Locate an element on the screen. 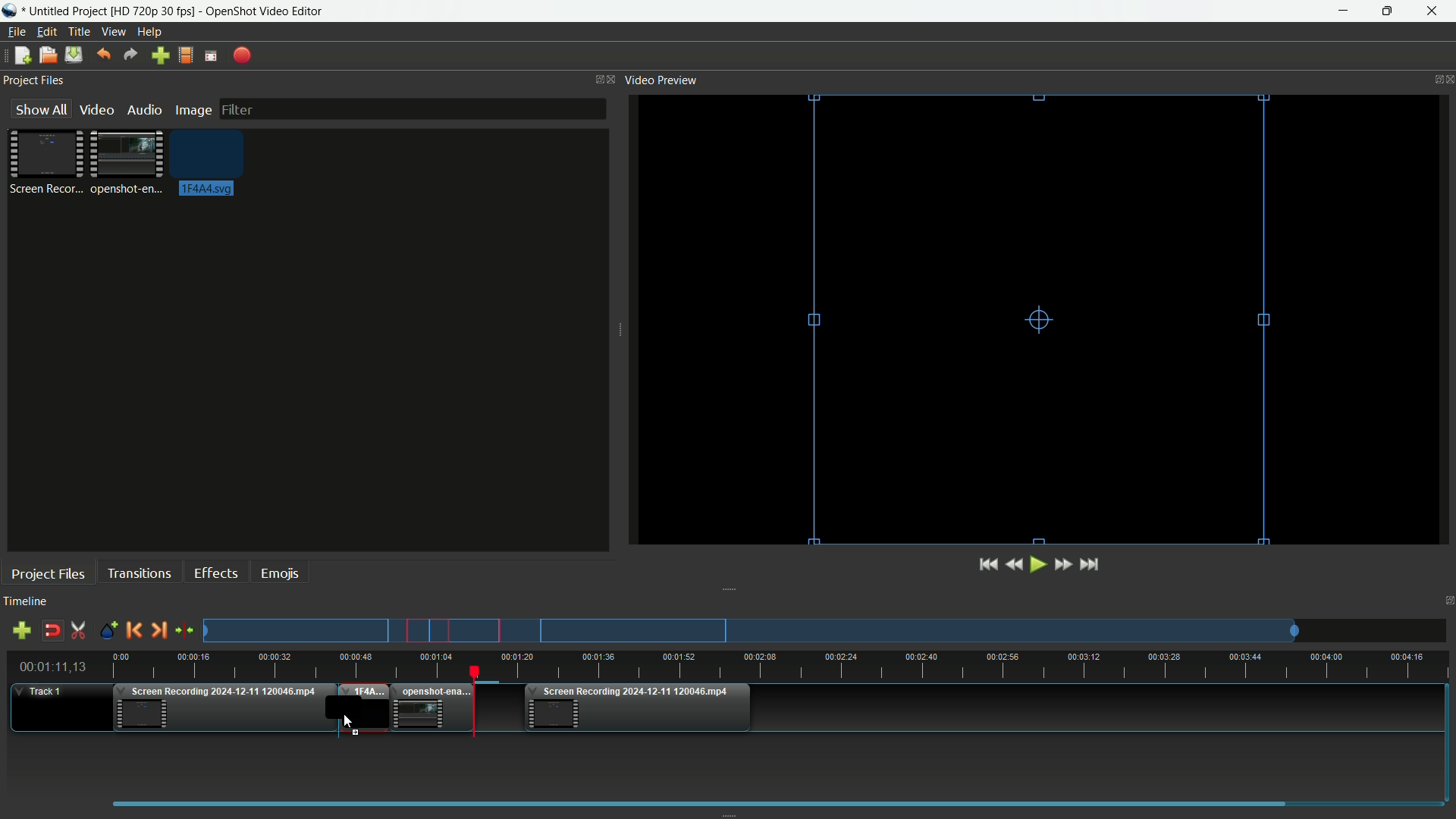 Image resolution: width=1456 pixels, height=819 pixels. Create markers is located at coordinates (104, 631).